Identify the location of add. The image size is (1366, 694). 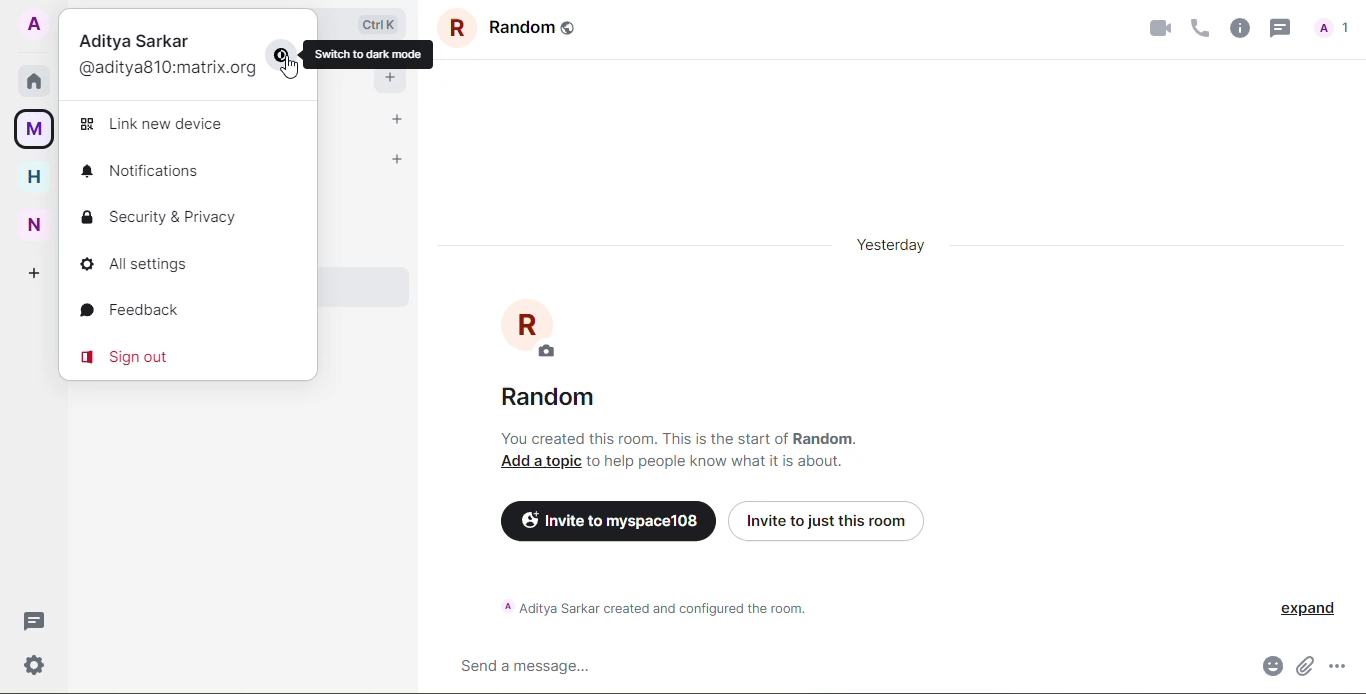
(398, 158).